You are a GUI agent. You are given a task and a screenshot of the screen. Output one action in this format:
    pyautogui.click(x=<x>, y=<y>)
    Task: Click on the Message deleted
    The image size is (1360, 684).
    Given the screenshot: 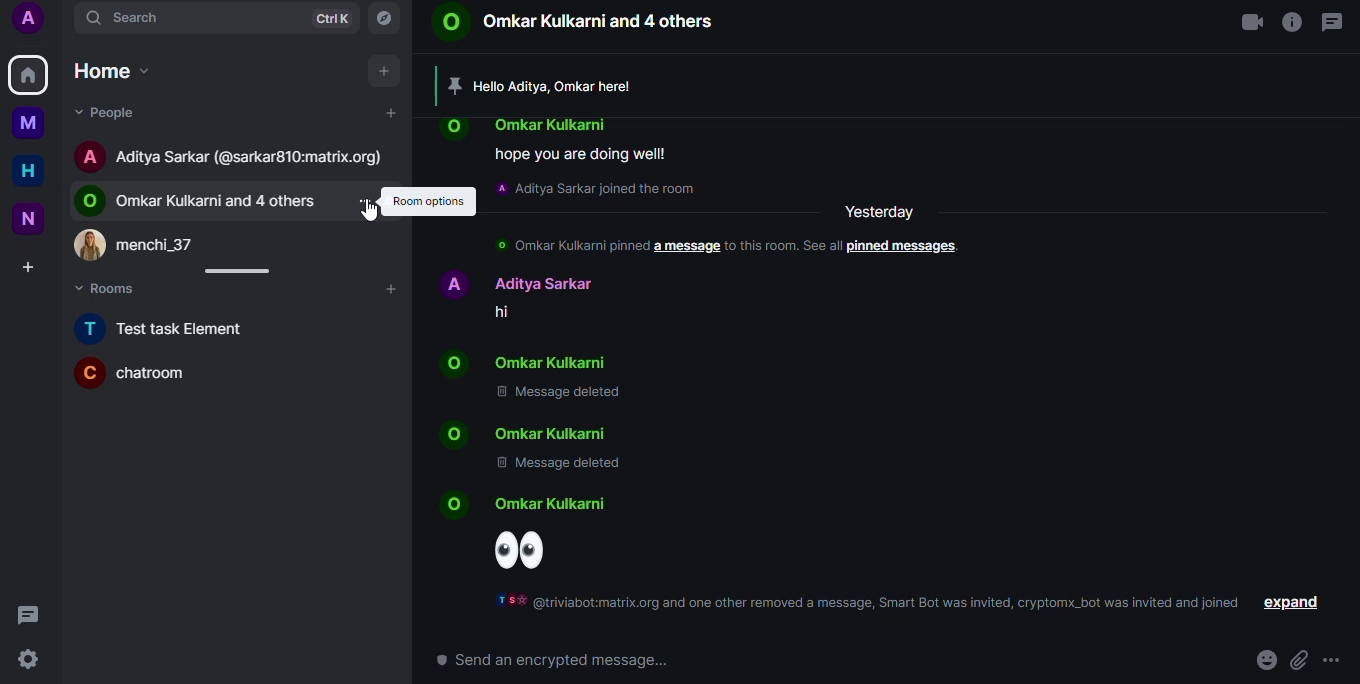 What is the action you would take?
    pyautogui.click(x=556, y=467)
    